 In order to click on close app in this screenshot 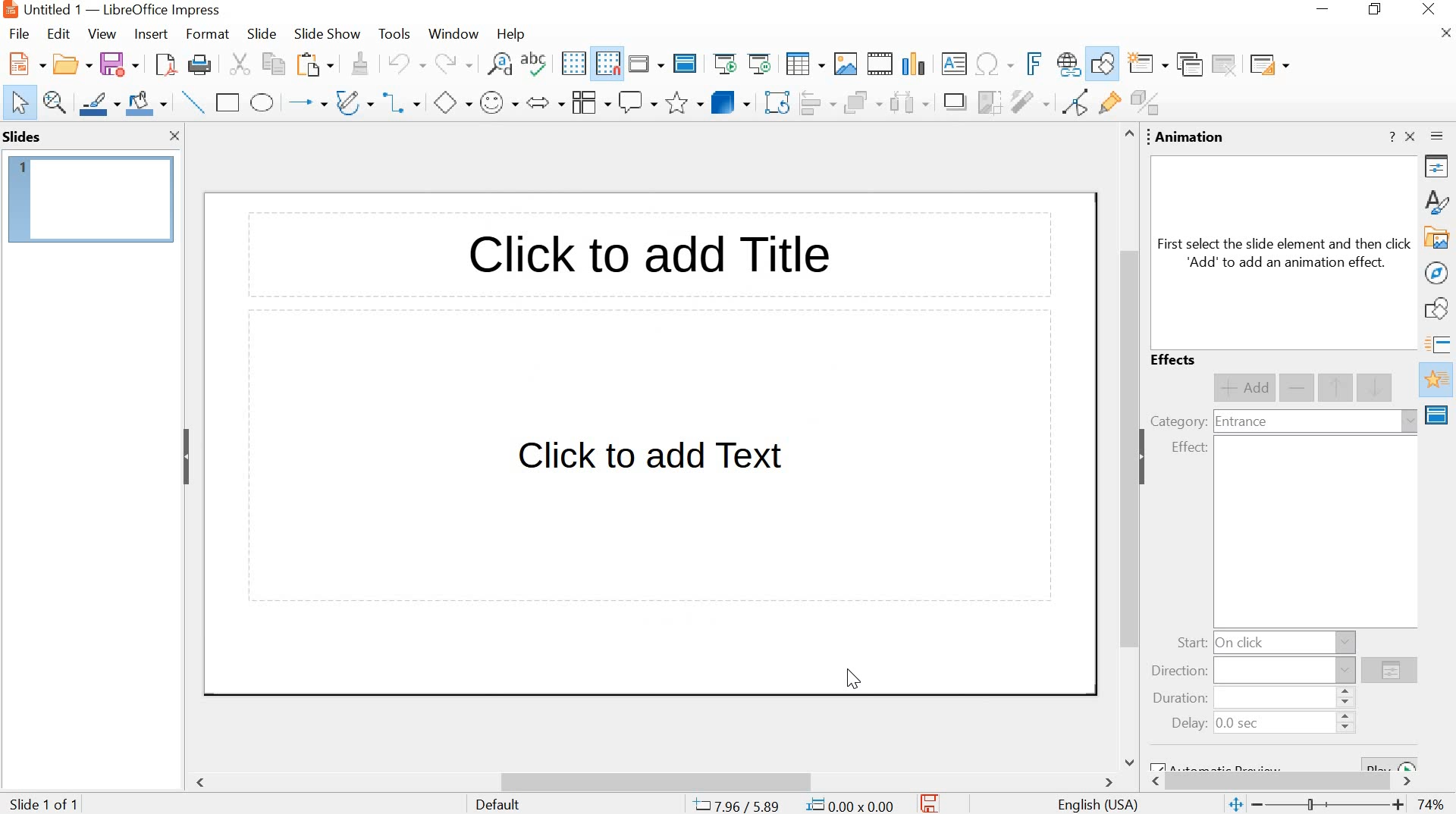, I will do `click(1430, 11)`.